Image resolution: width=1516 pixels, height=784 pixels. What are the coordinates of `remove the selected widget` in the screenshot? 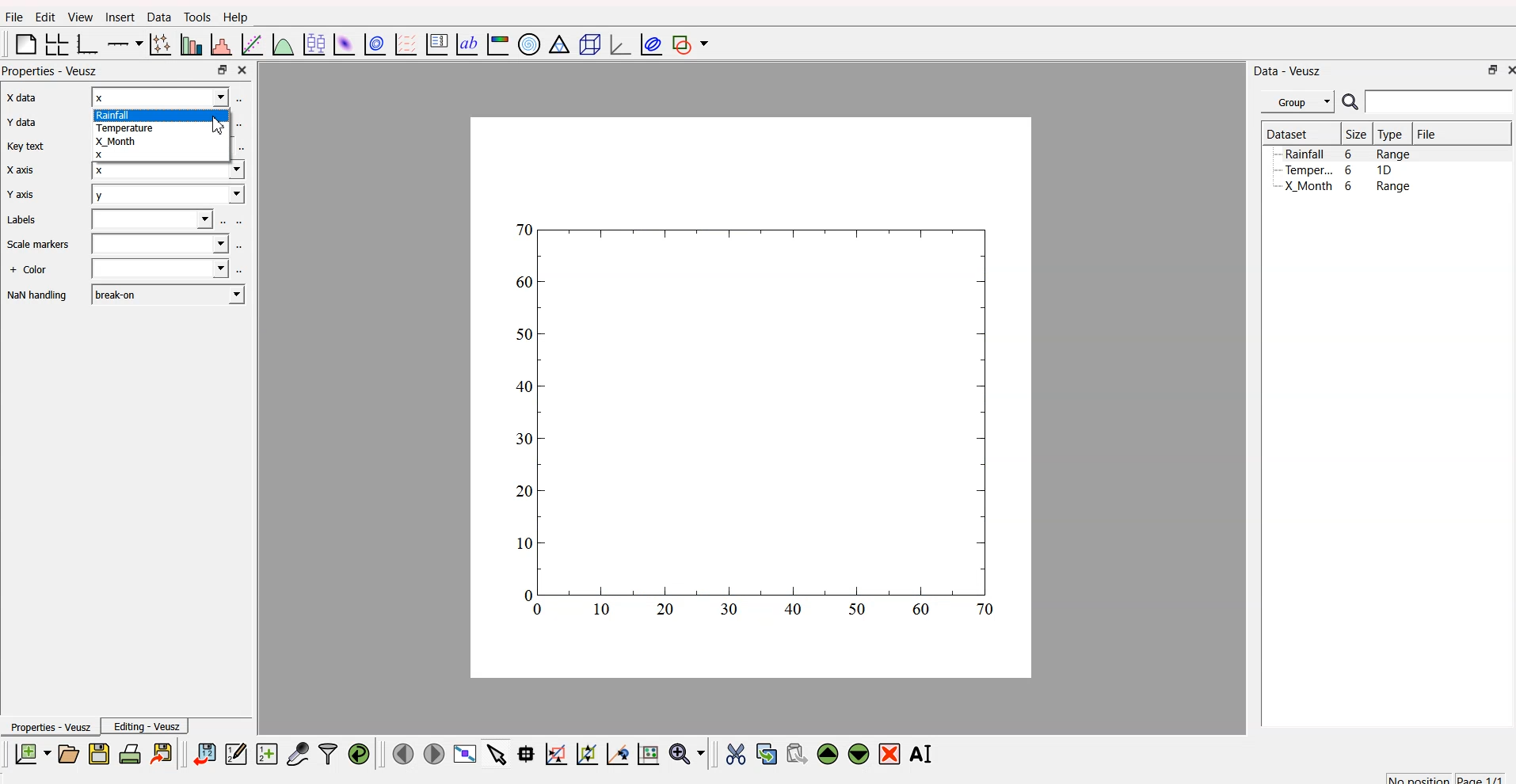 It's located at (890, 754).